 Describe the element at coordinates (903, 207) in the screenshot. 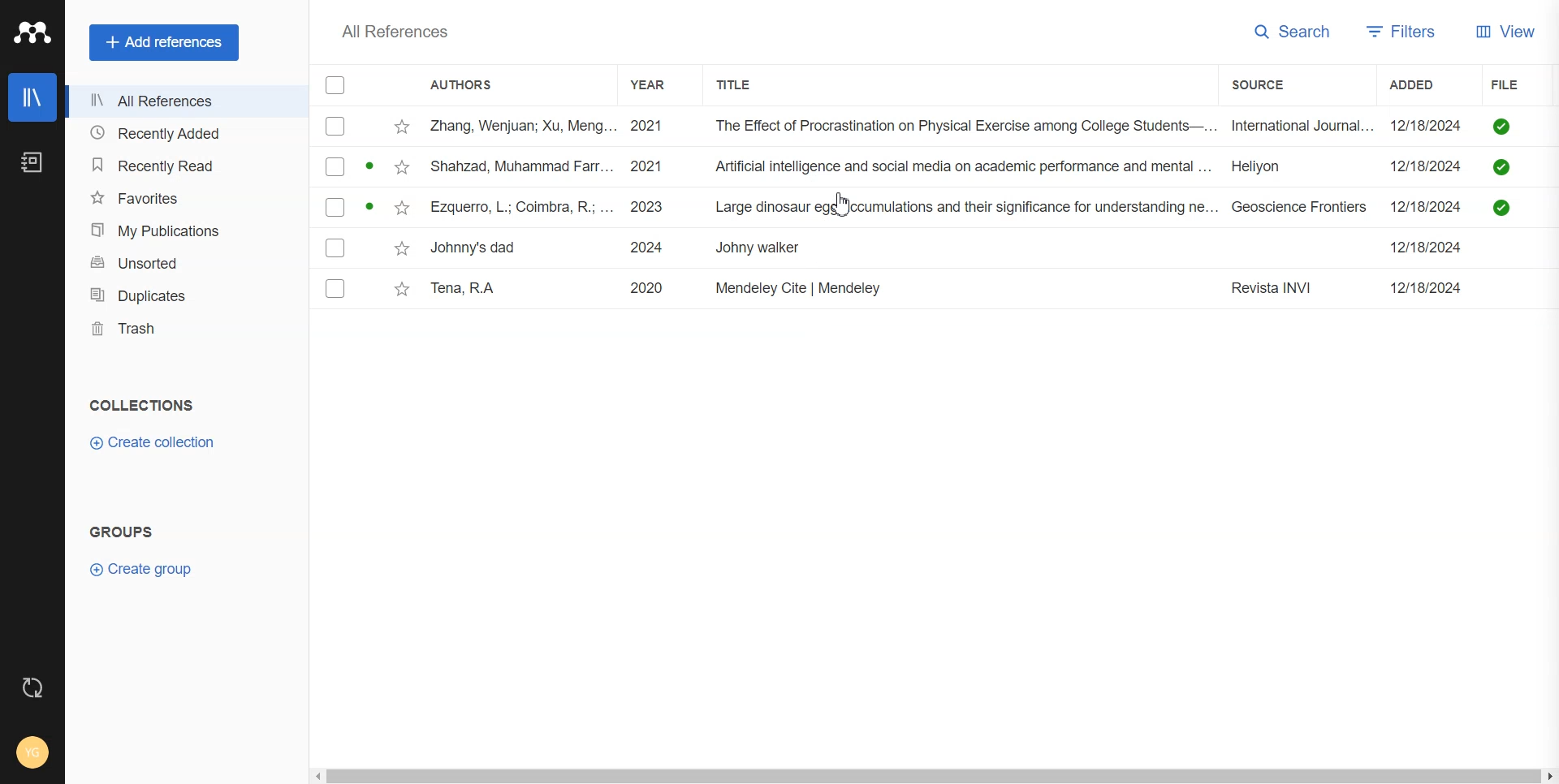

I see `File` at that location.